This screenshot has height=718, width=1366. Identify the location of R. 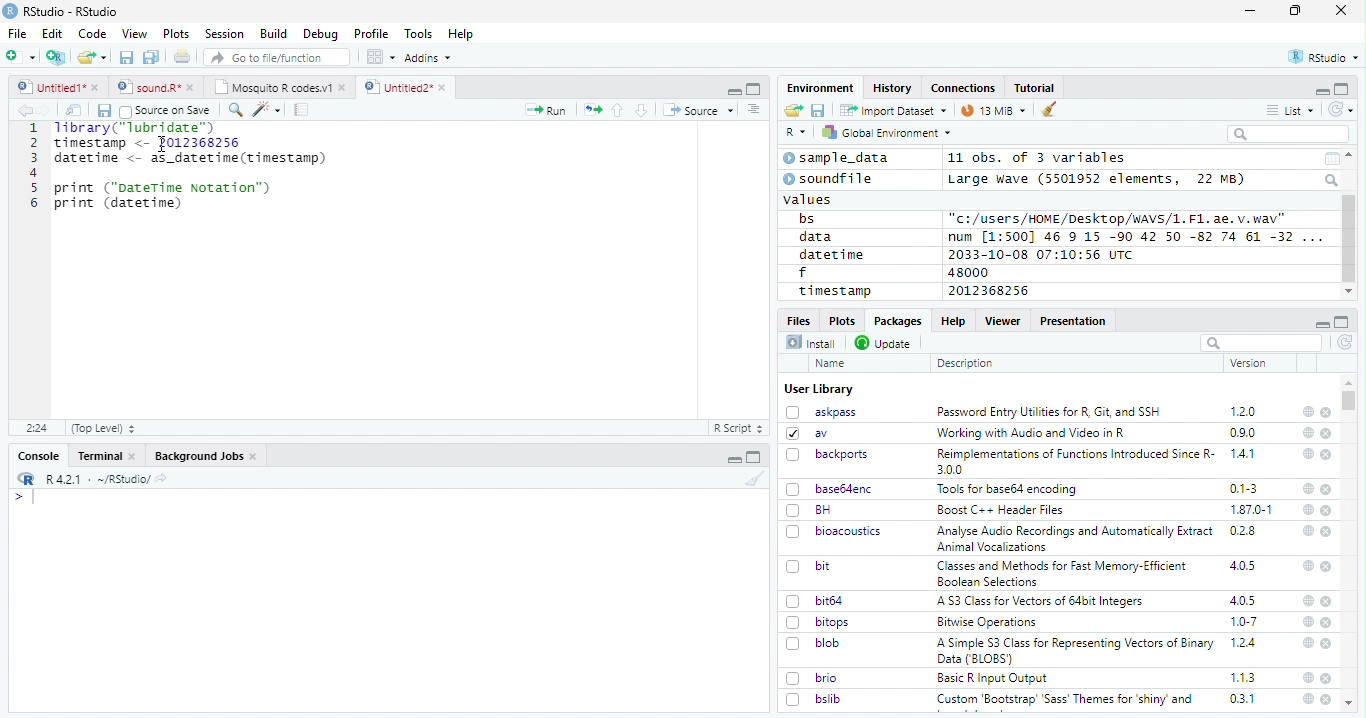
(796, 133).